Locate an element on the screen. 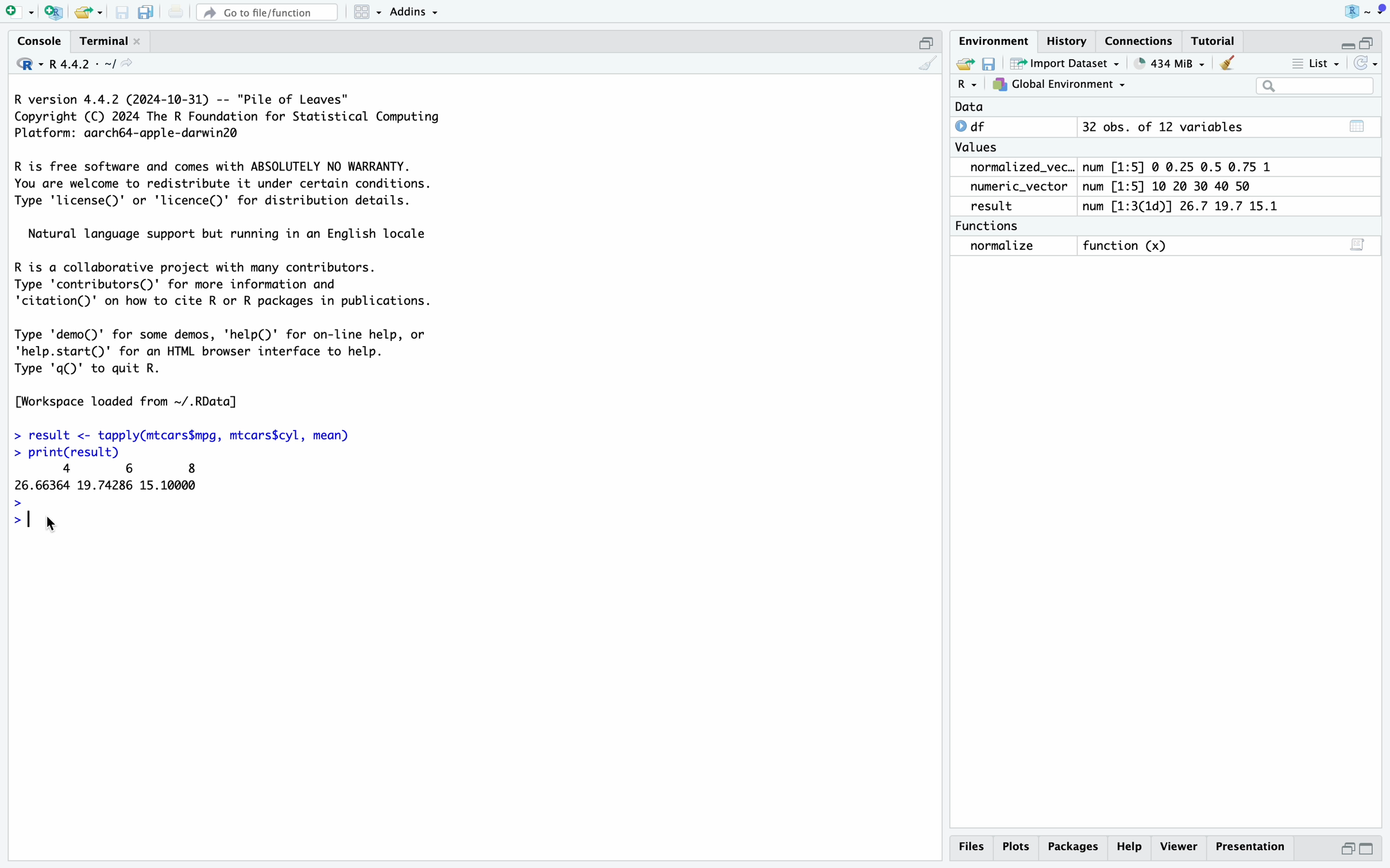 Image resolution: width=1390 pixels, height=868 pixels. Save is located at coordinates (123, 12).